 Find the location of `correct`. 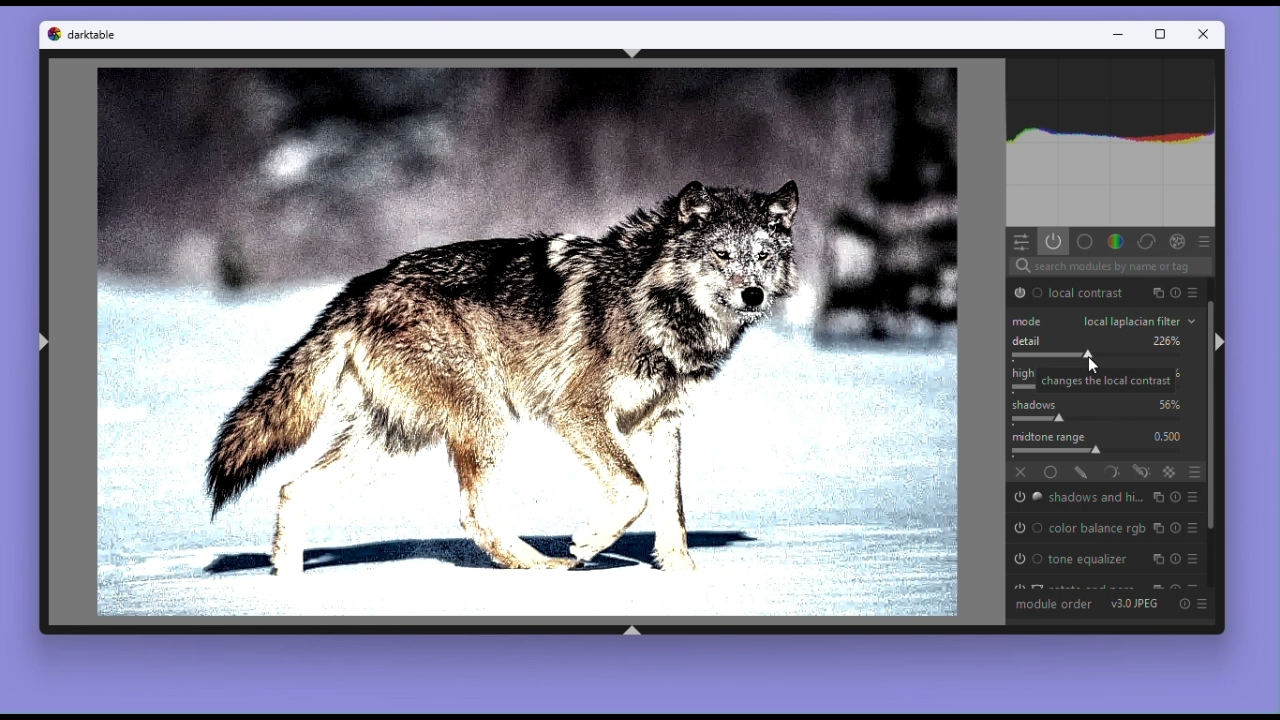

correct is located at coordinates (1148, 242).